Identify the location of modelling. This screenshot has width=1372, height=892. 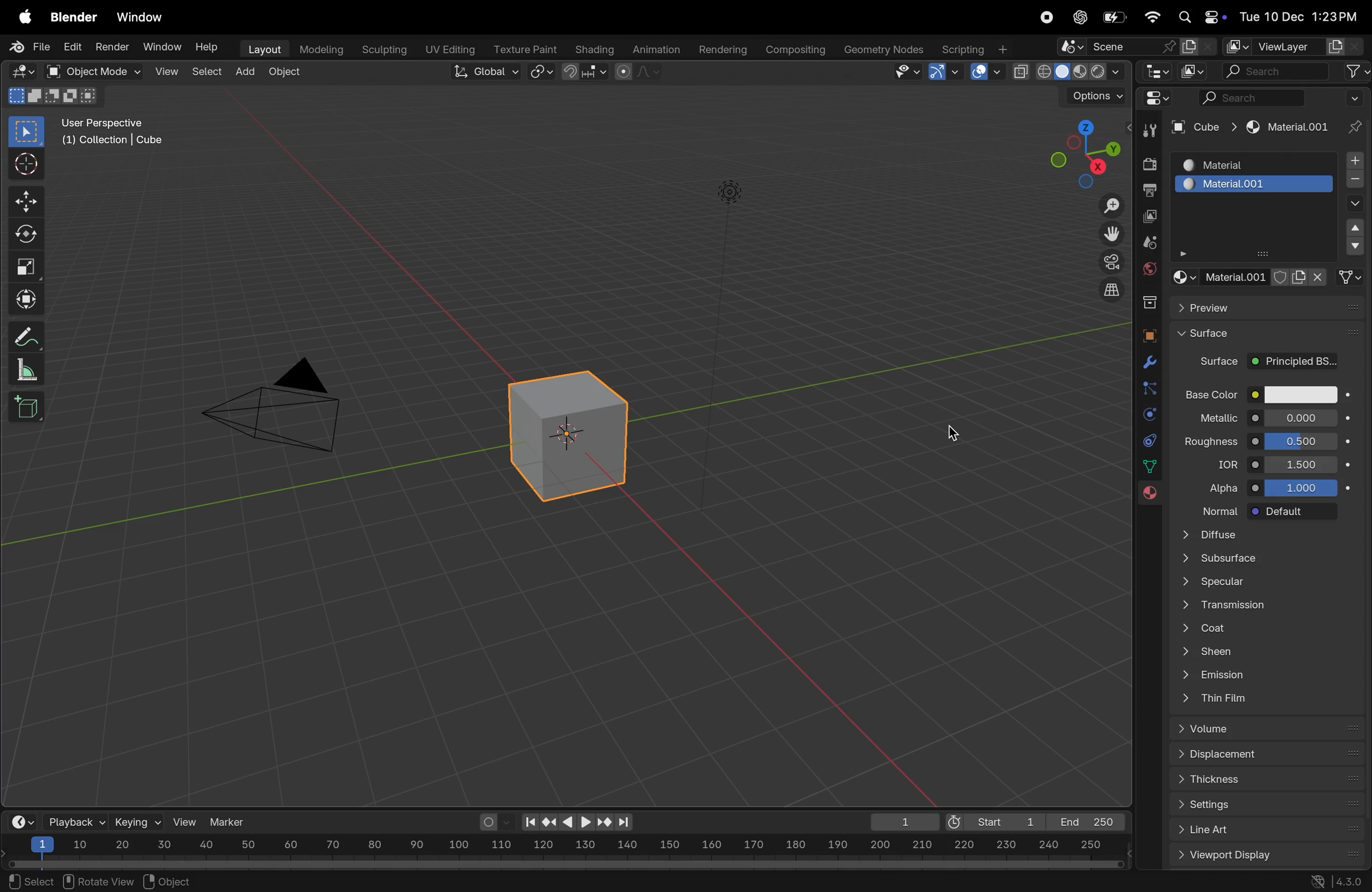
(320, 48).